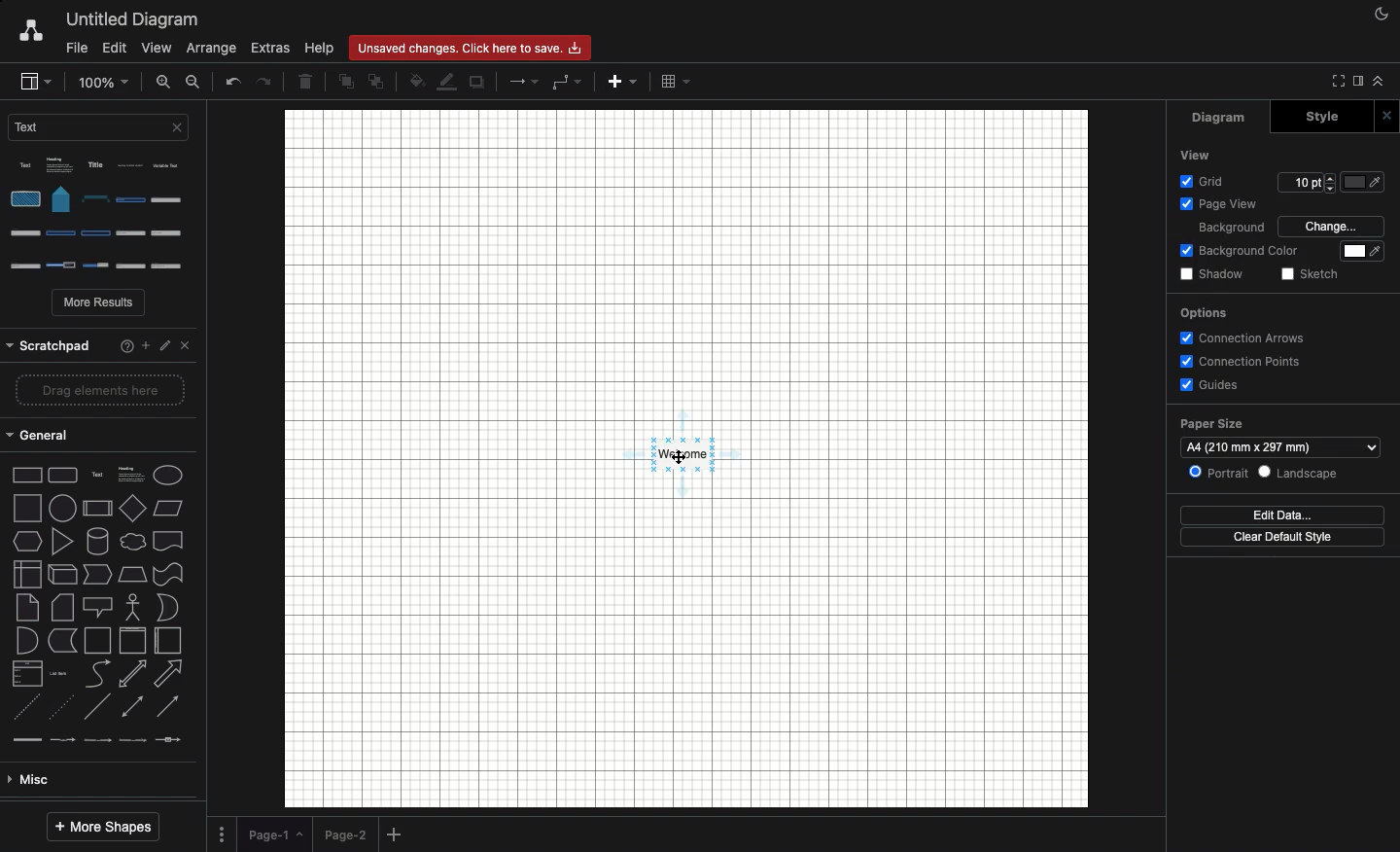  I want to click on Arrow, so click(525, 81).